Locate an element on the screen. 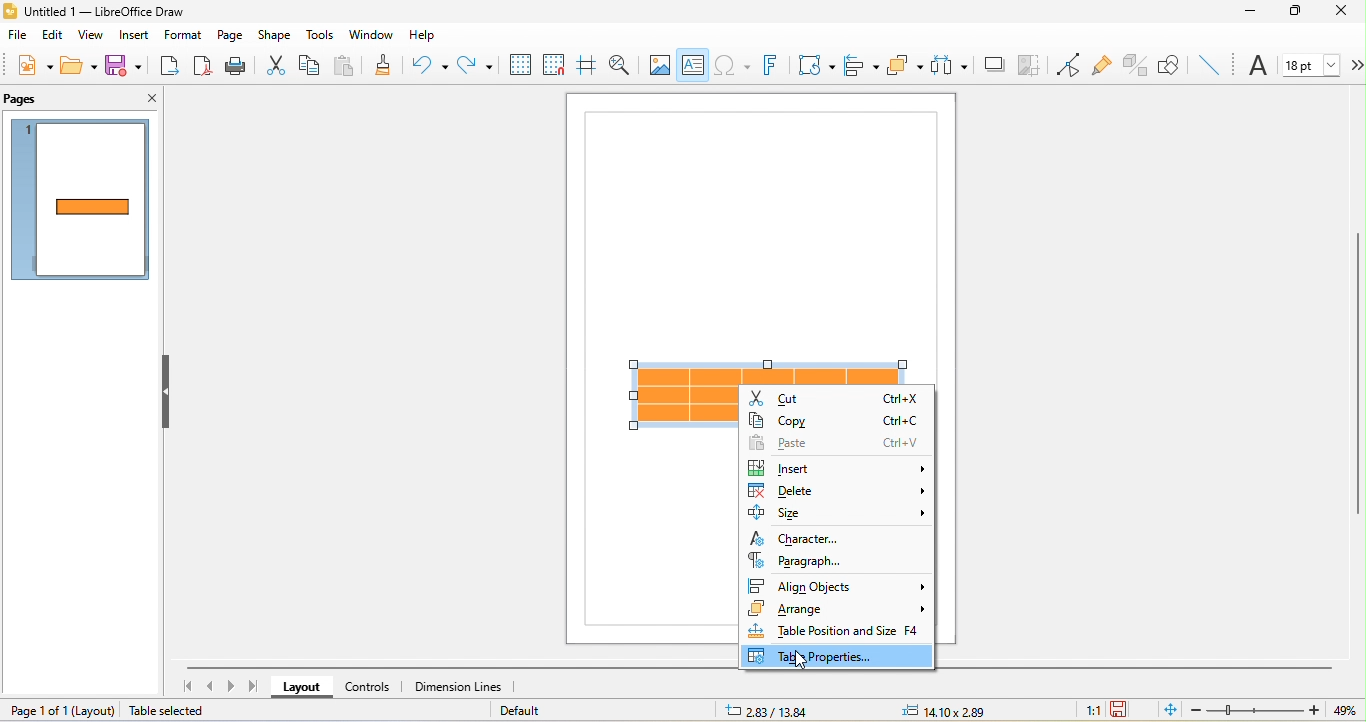  49% is located at coordinates (1343, 711).